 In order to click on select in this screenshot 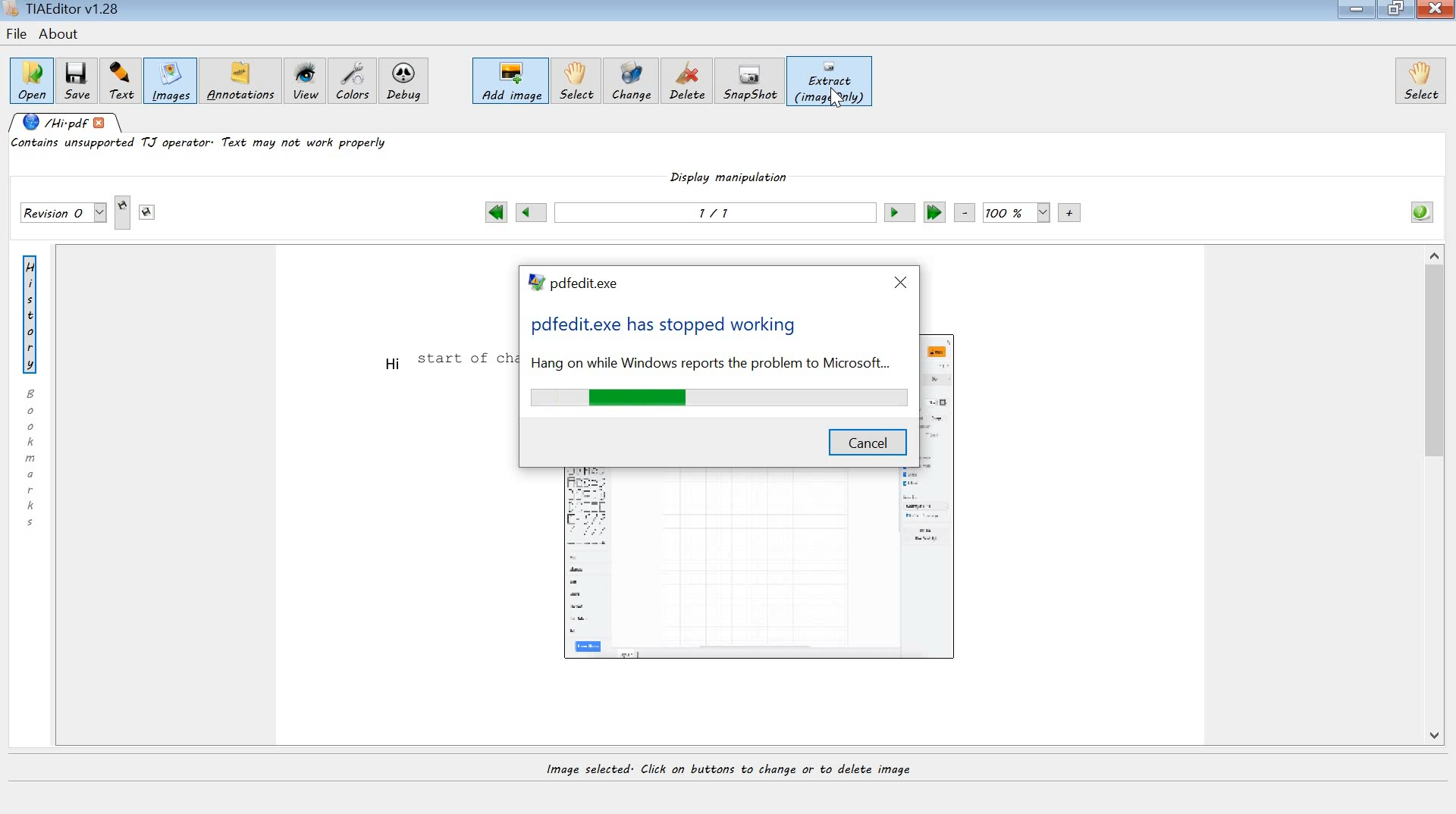, I will do `click(1420, 80)`.